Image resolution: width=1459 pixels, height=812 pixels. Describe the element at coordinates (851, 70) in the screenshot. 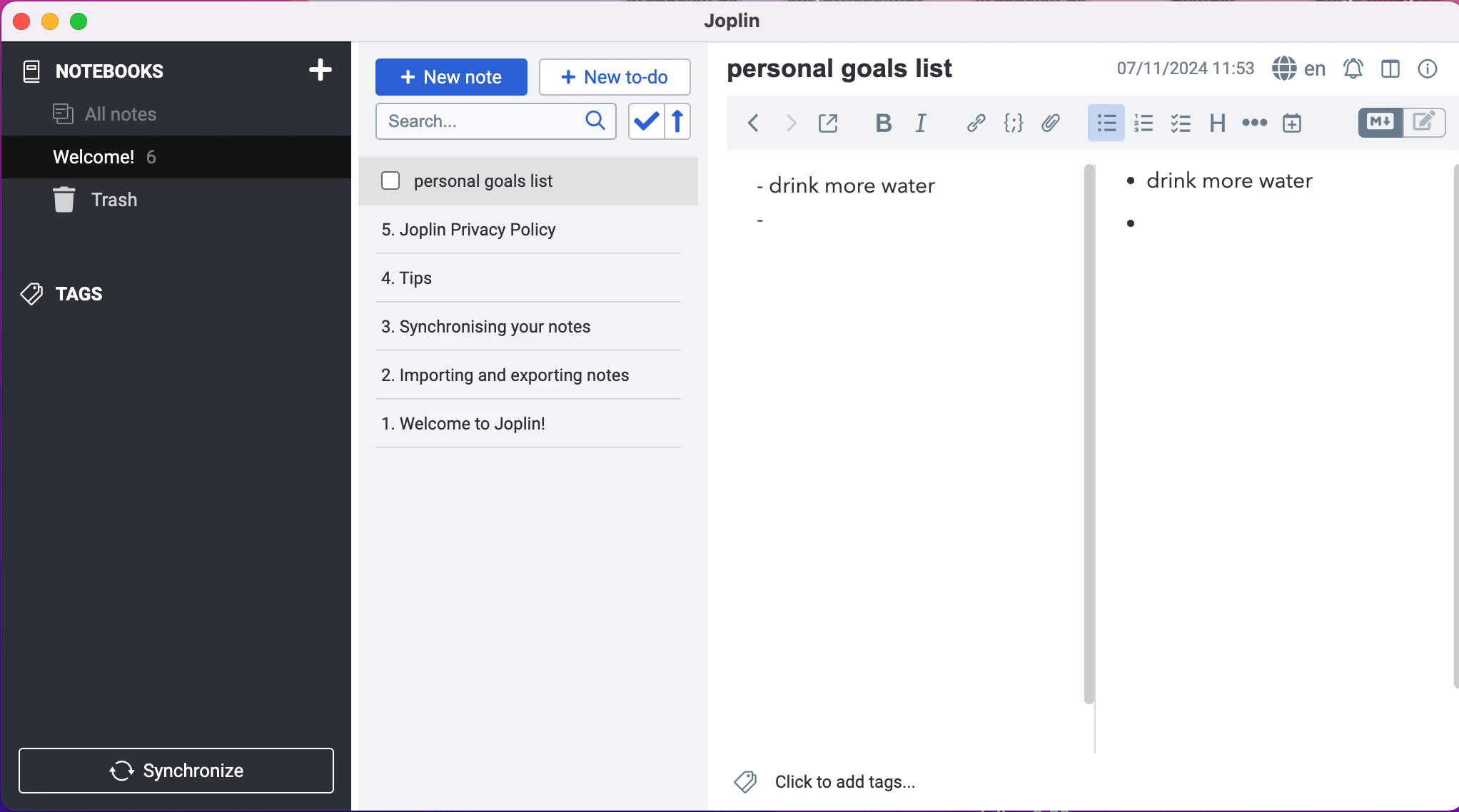

I see `personal goals list` at that location.